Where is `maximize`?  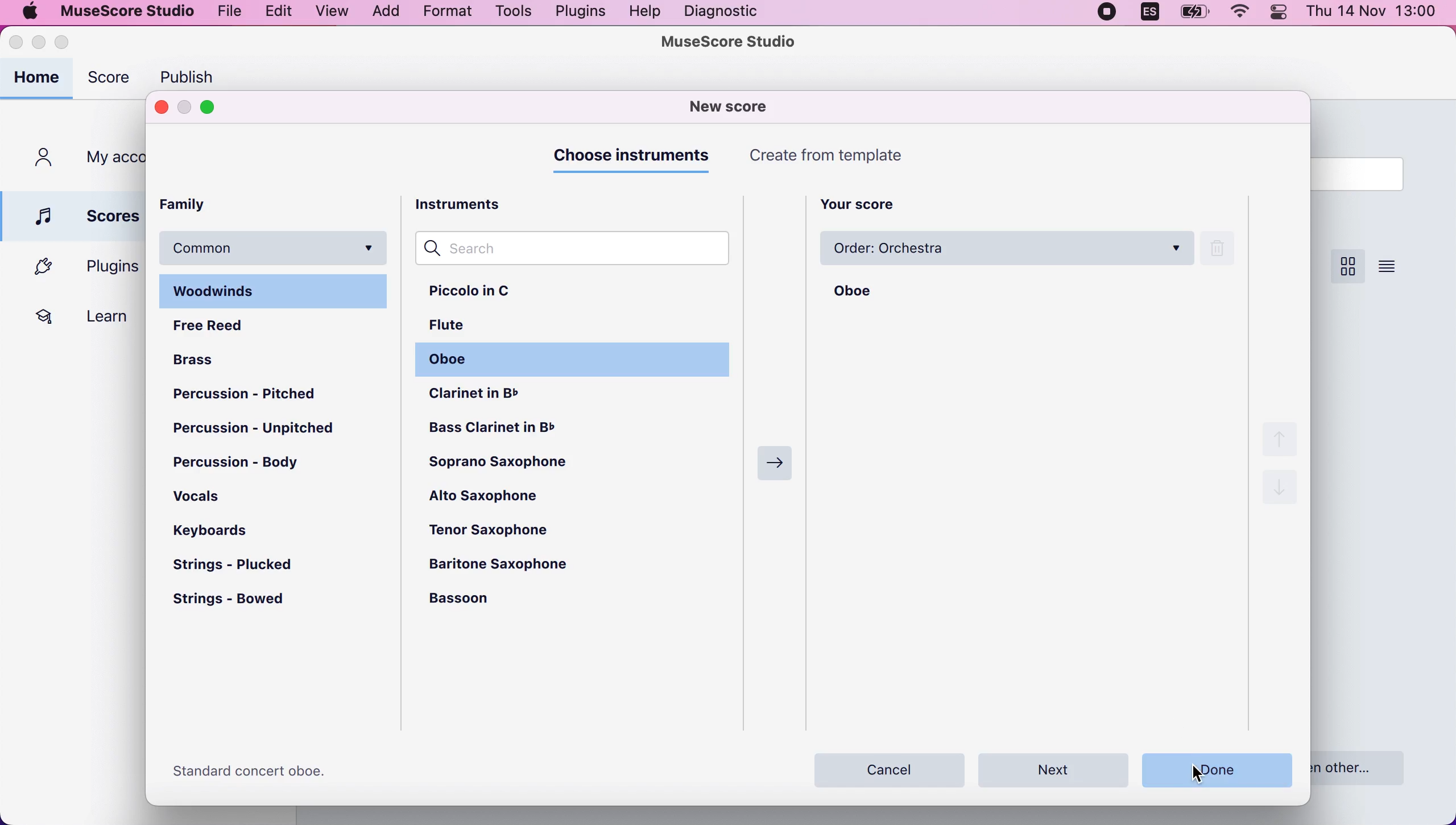 maximize is located at coordinates (75, 43).